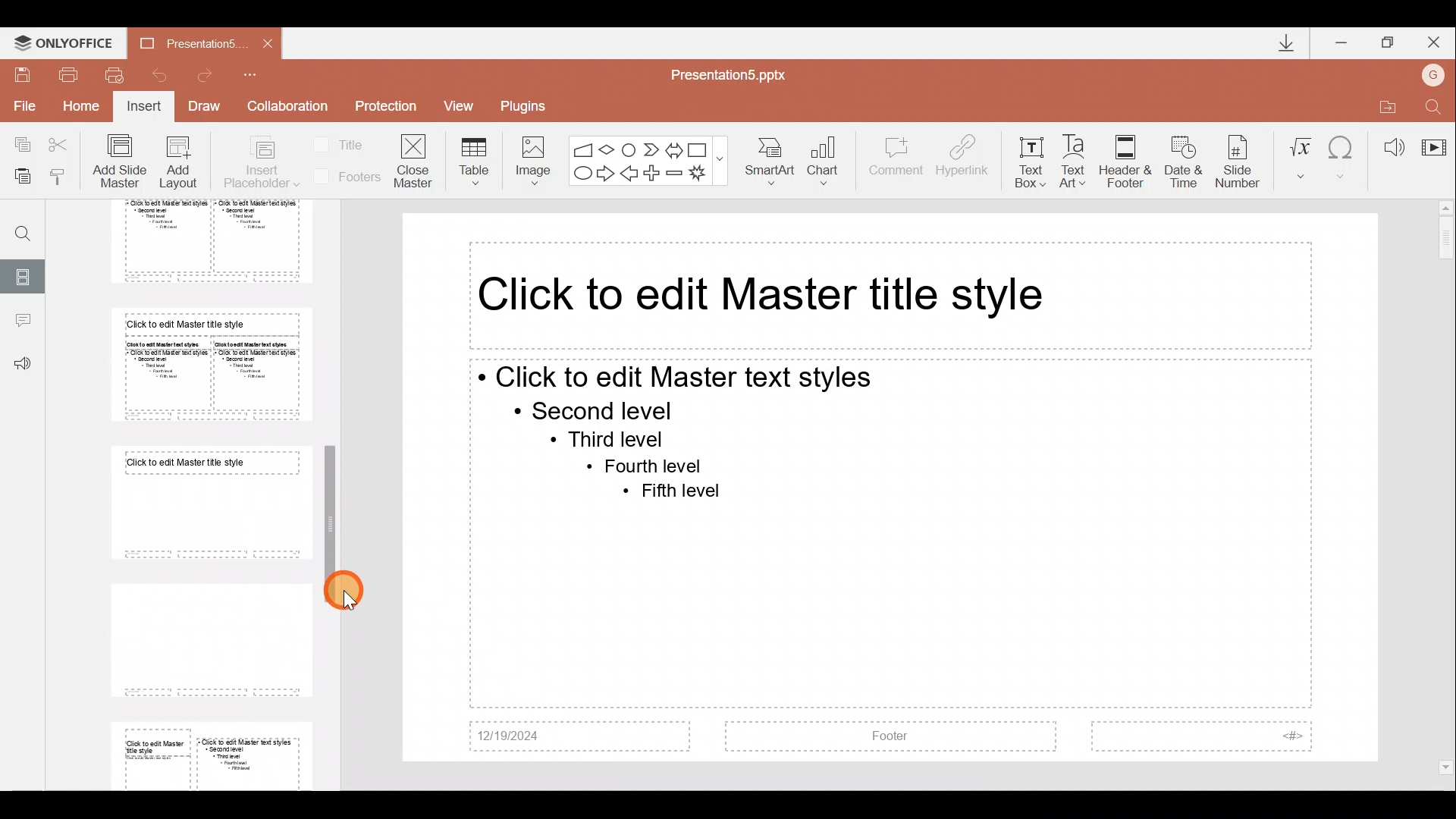 The image size is (1456, 819). I want to click on Left right arrow, so click(673, 147).